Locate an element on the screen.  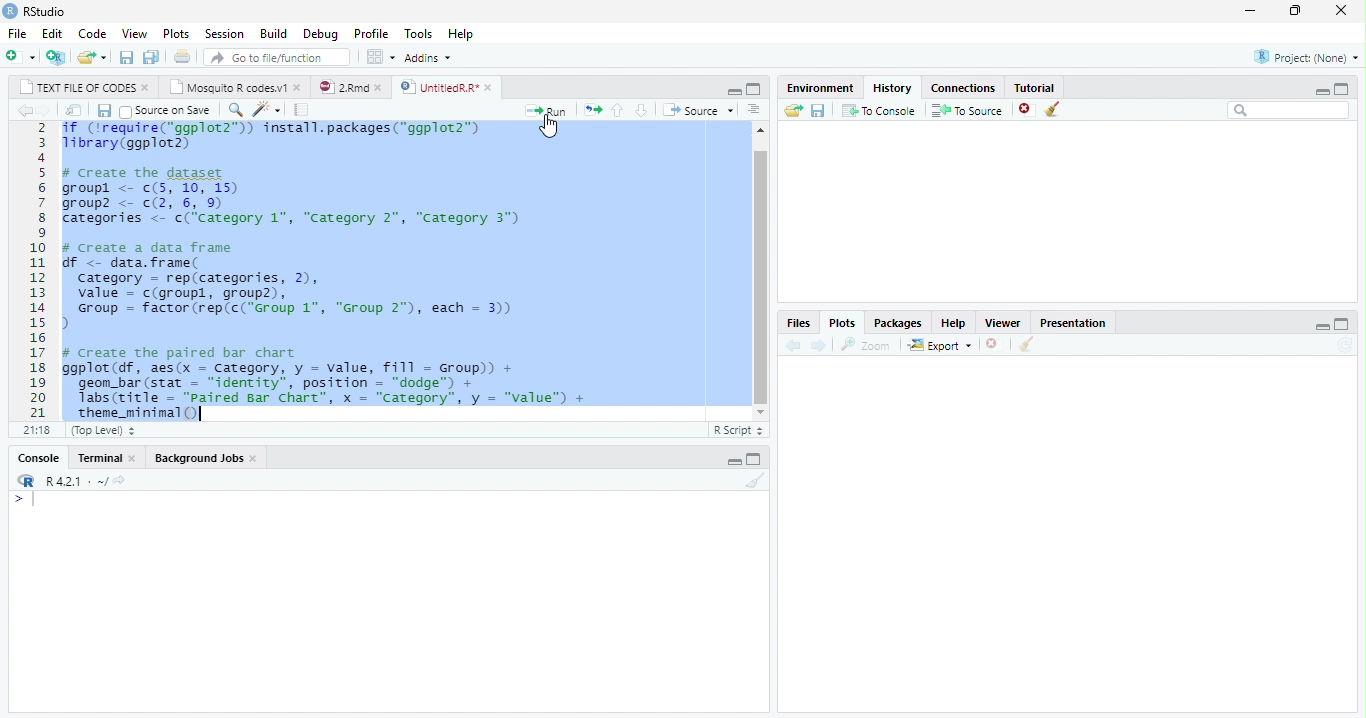
Rscript is located at coordinates (738, 431).